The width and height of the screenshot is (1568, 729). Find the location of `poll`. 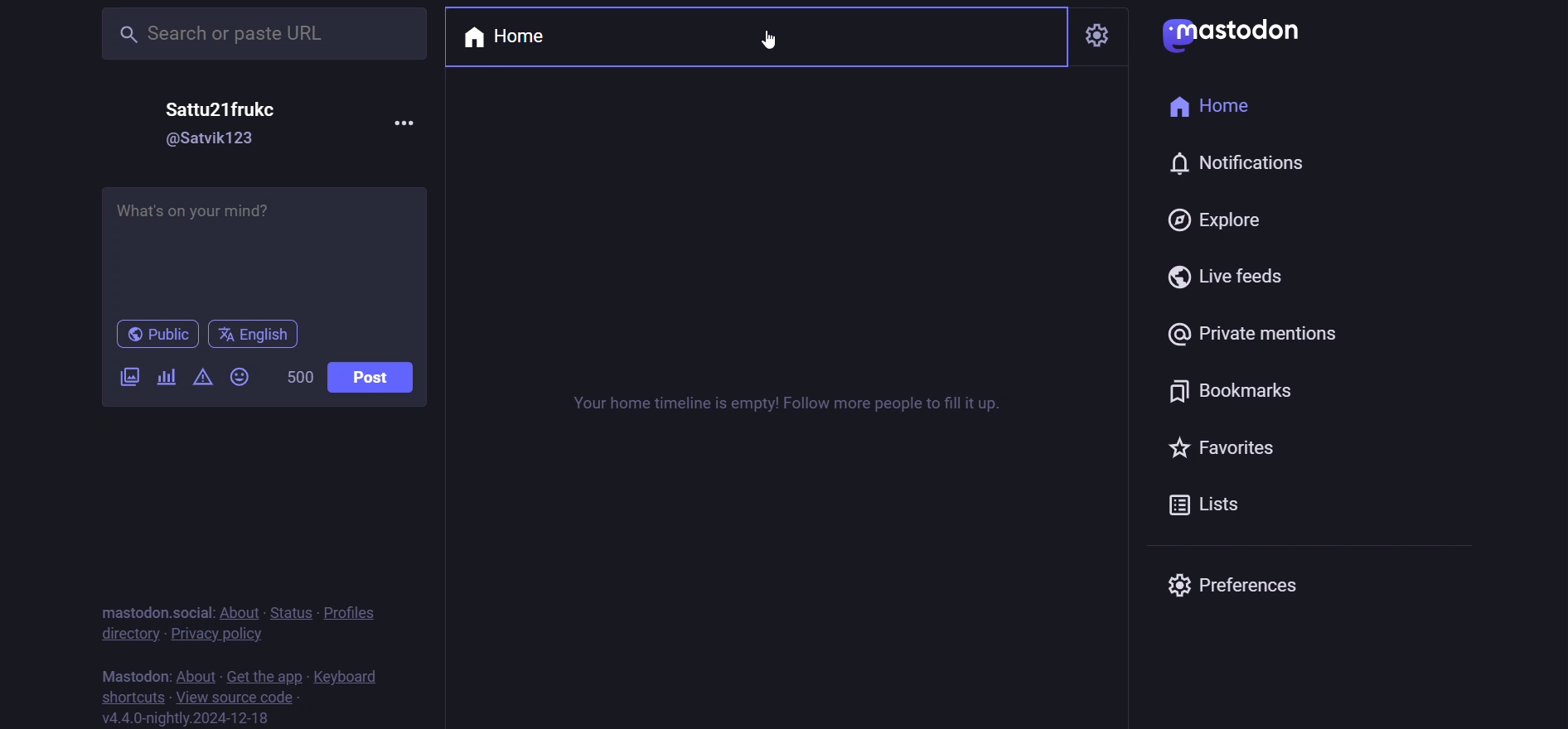

poll is located at coordinates (167, 375).